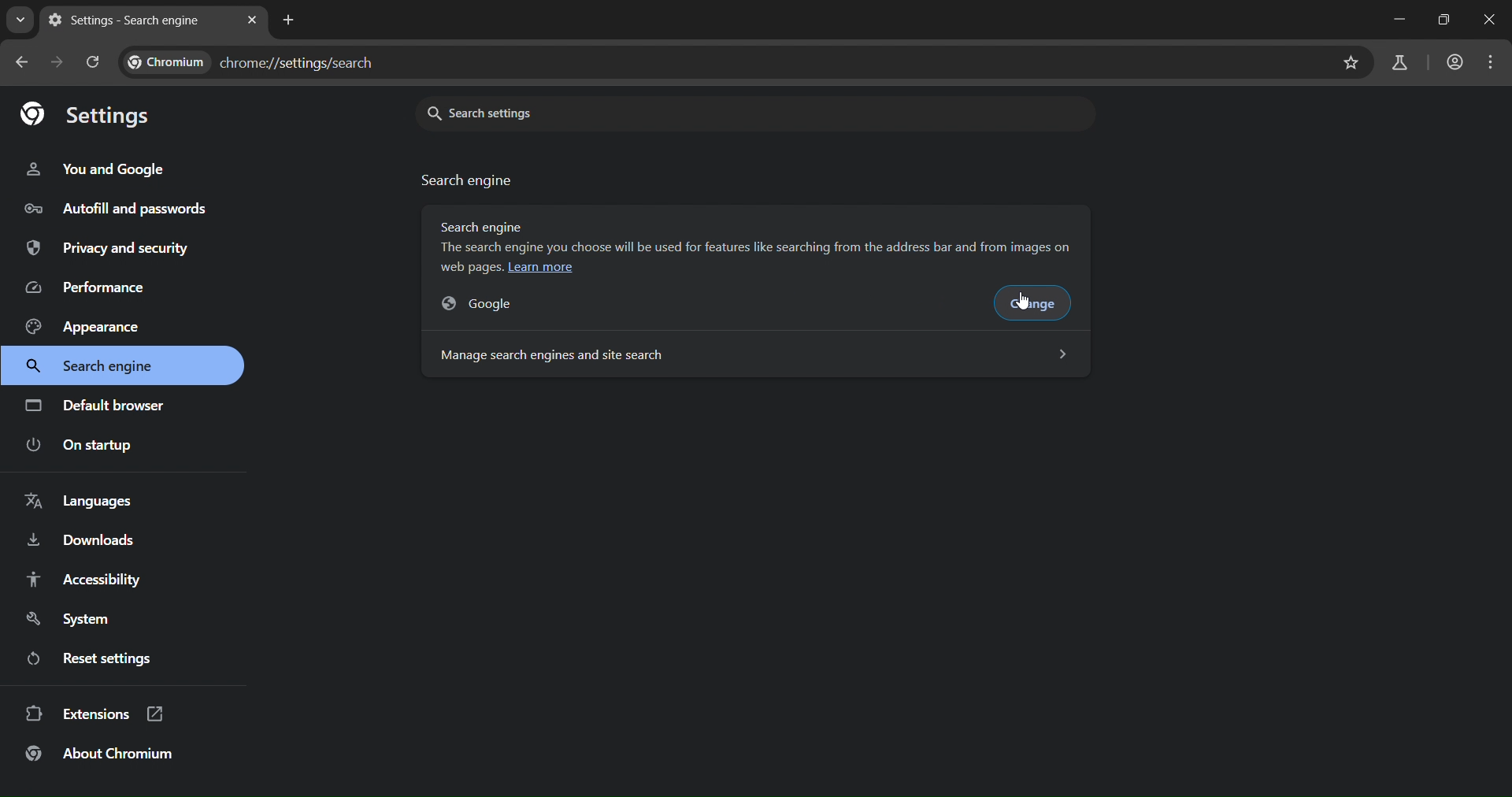 The image size is (1512, 797). What do you see at coordinates (113, 207) in the screenshot?
I see `autofill & passwords` at bounding box center [113, 207].